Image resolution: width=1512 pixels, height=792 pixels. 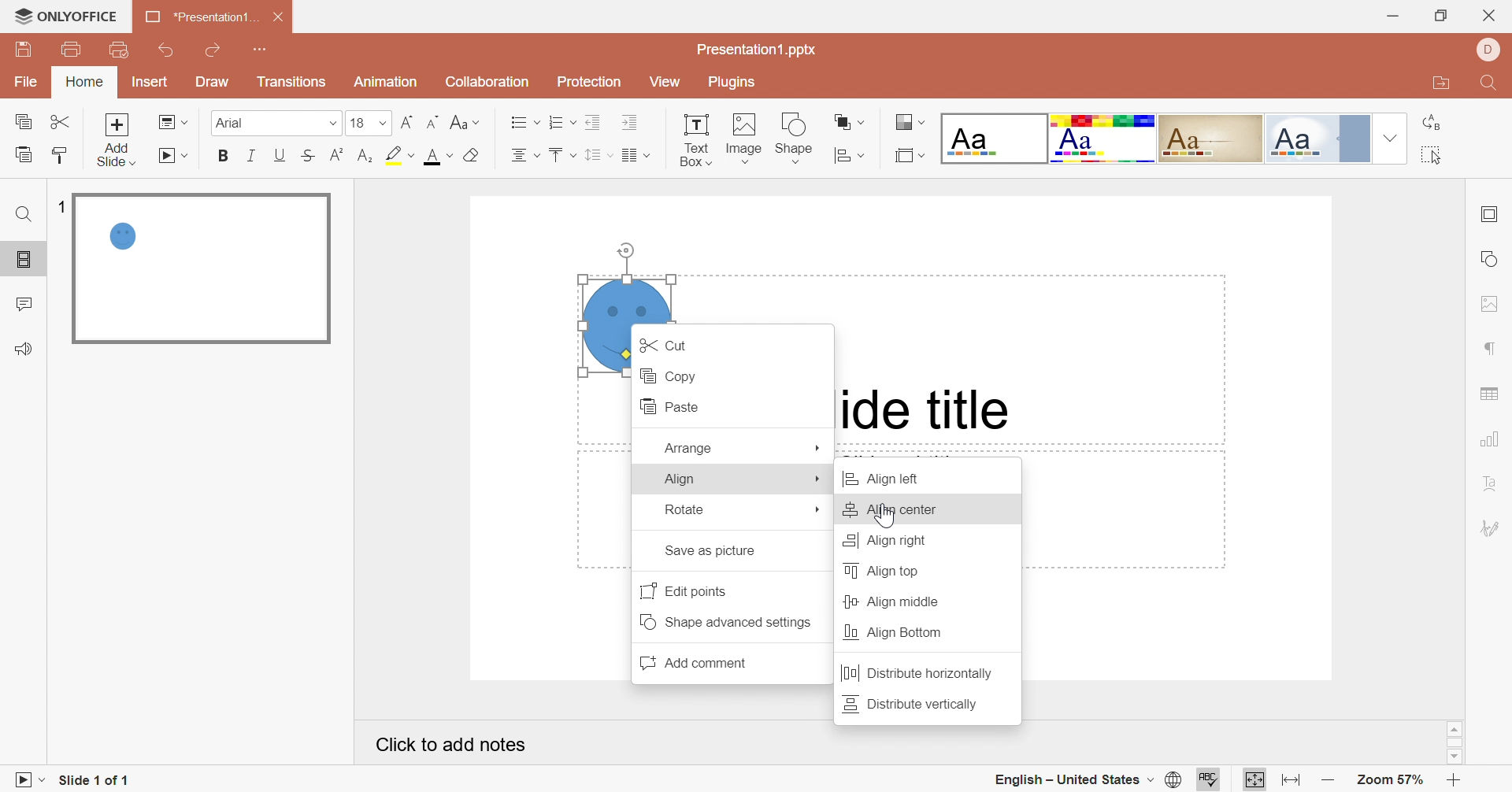 I want to click on Subscript, so click(x=365, y=156).